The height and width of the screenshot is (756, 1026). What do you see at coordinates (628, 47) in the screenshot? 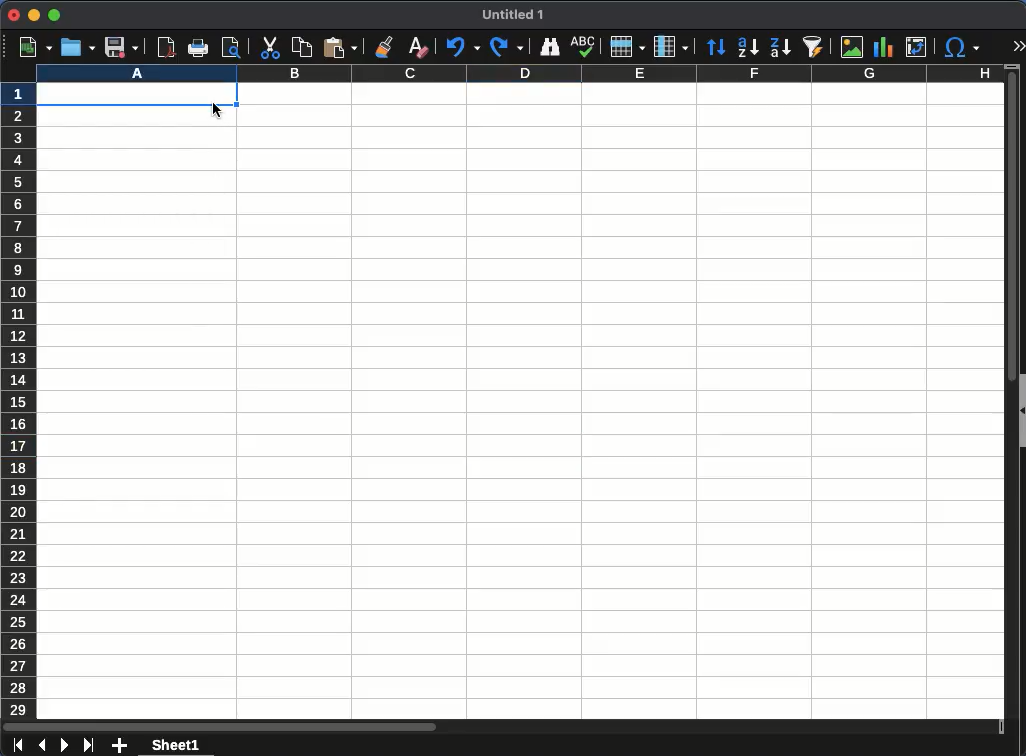
I see `row` at bounding box center [628, 47].